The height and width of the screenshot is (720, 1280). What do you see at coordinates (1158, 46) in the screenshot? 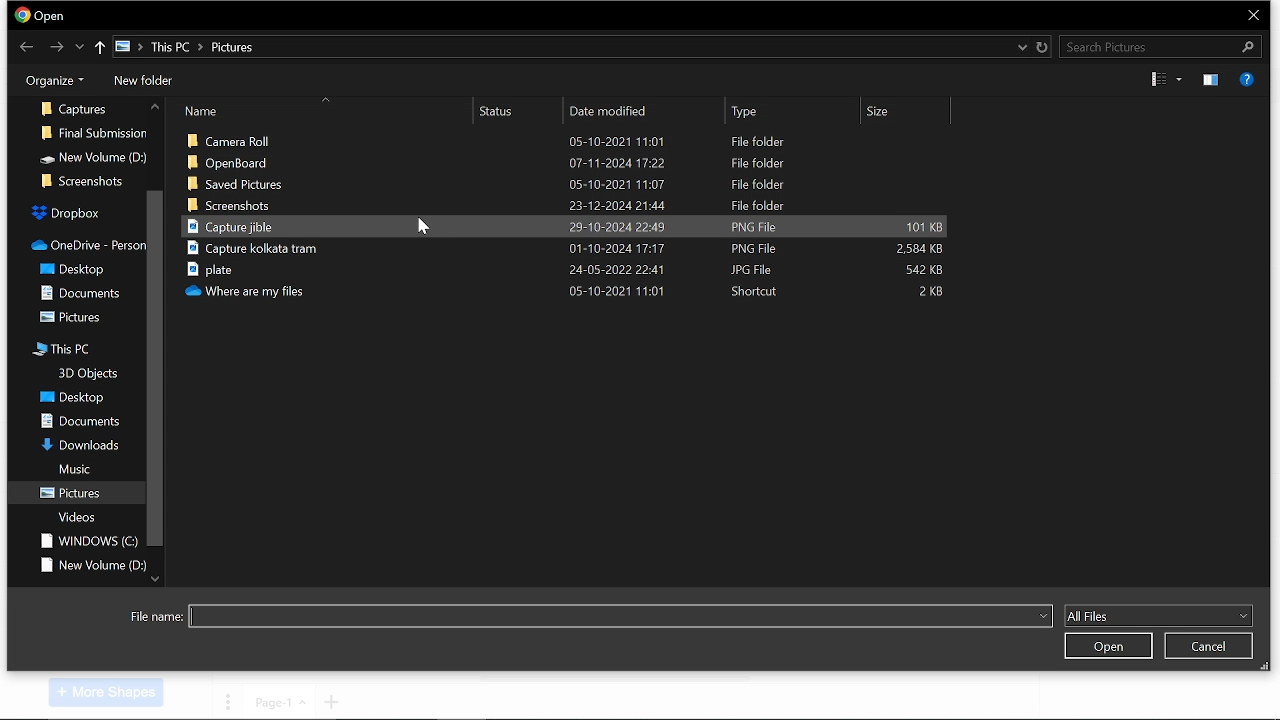
I see `search` at bounding box center [1158, 46].